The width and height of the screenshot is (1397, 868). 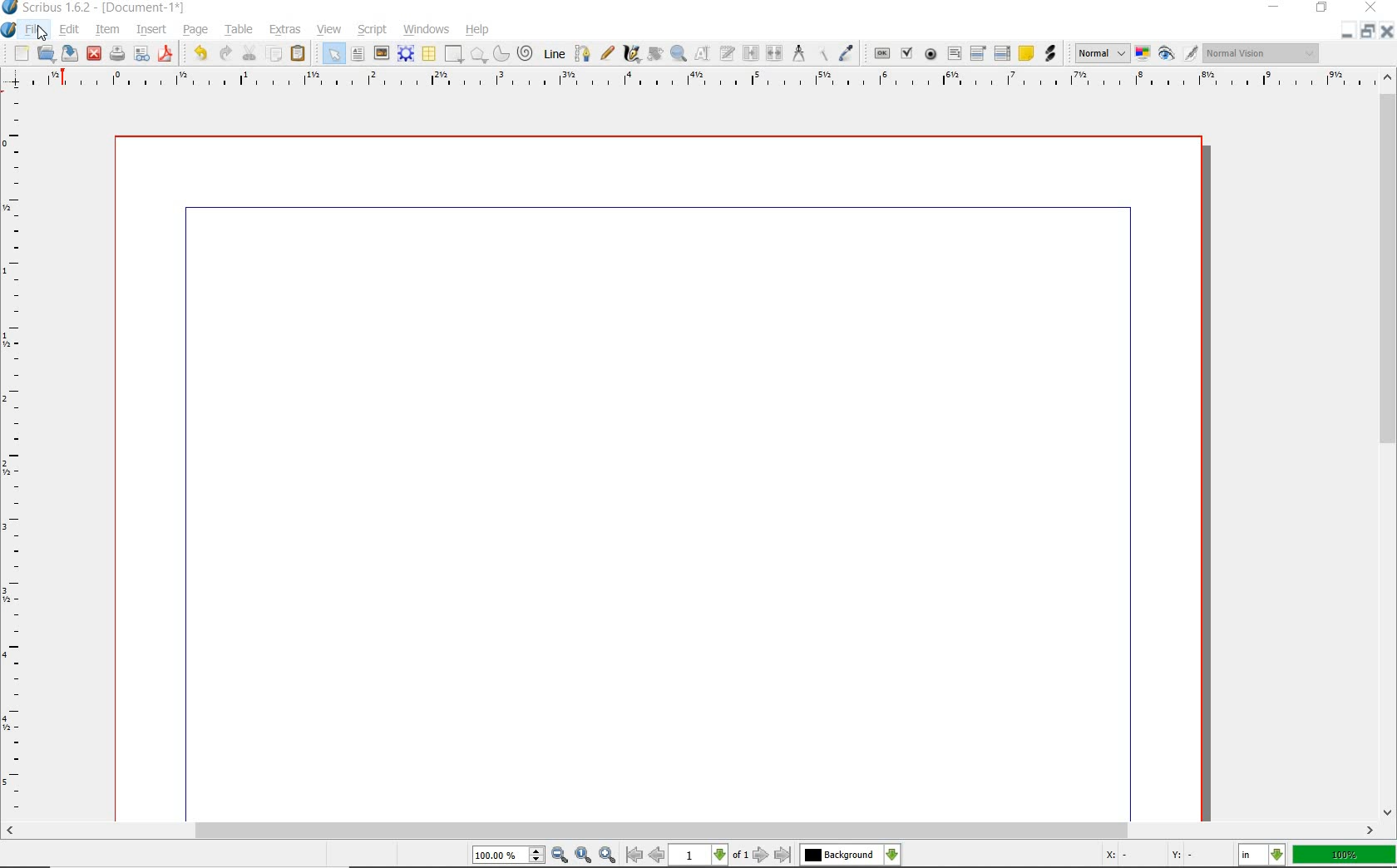 What do you see at coordinates (824, 52) in the screenshot?
I see `copy item properties` at bounding box center [824, 52].